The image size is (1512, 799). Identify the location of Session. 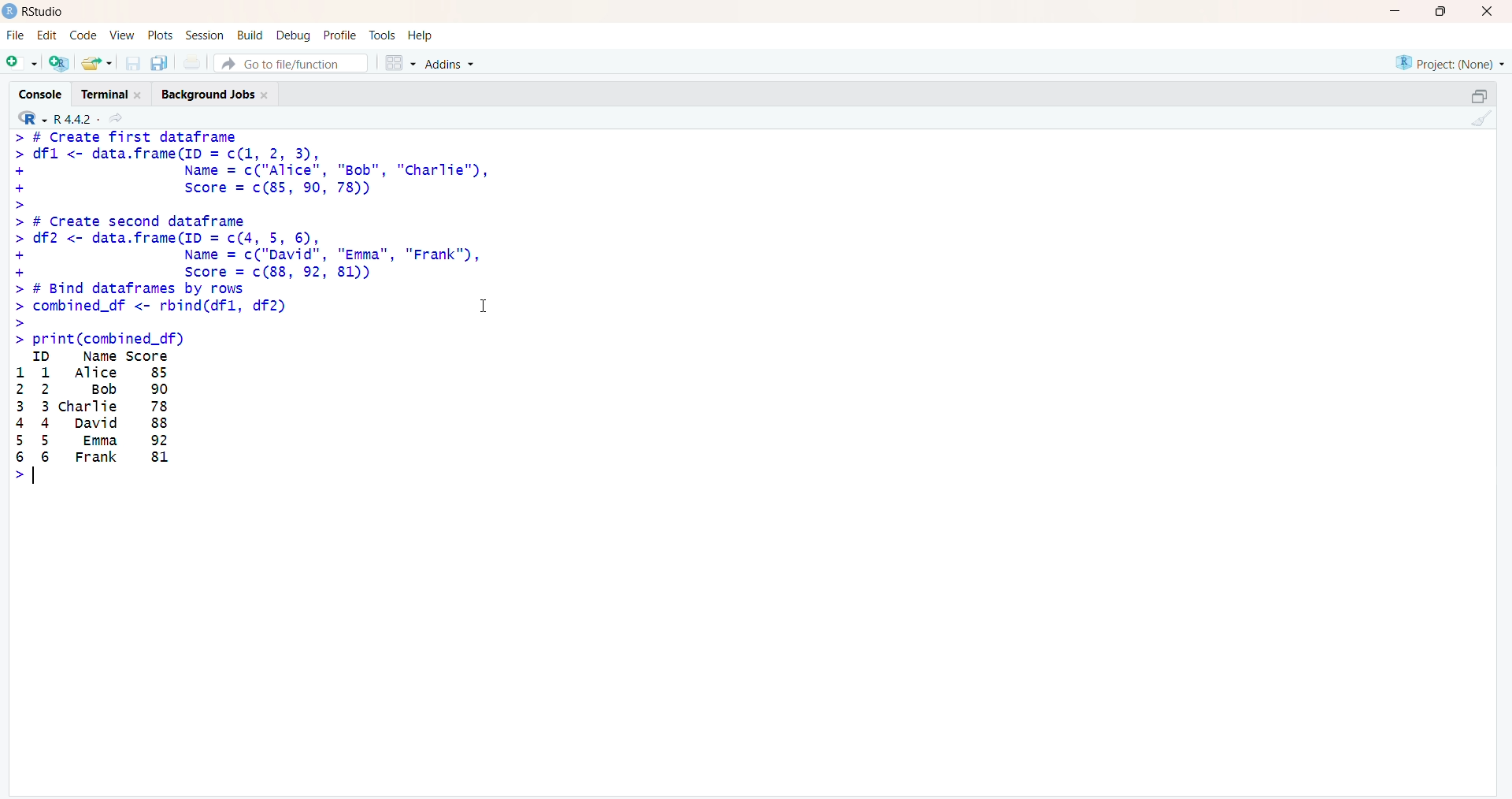
(205, 35).